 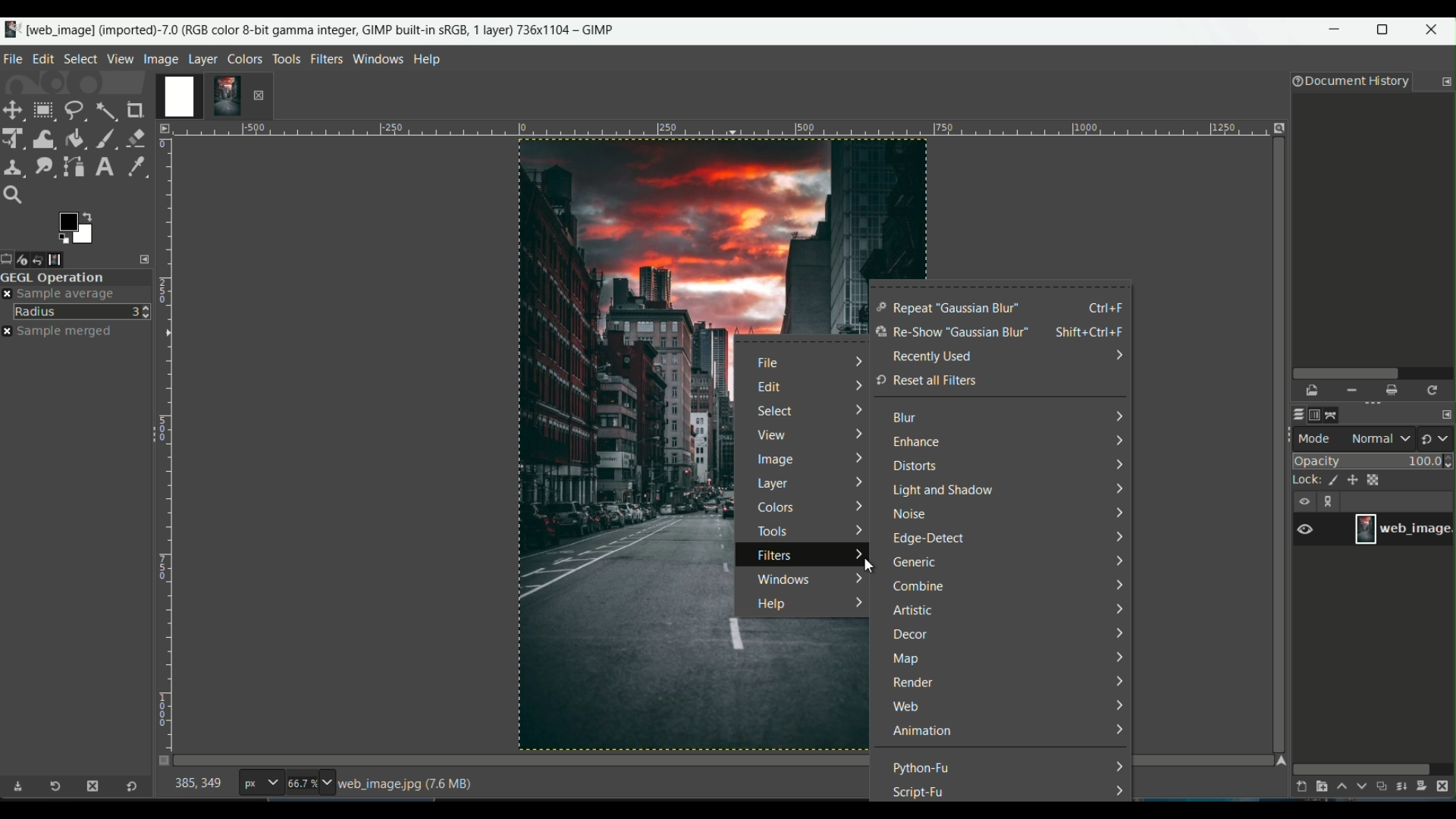 What do you see at coordinates (165, 435) in the screenshot?
I see `length measuring layer` at bounding box center [165, 435].